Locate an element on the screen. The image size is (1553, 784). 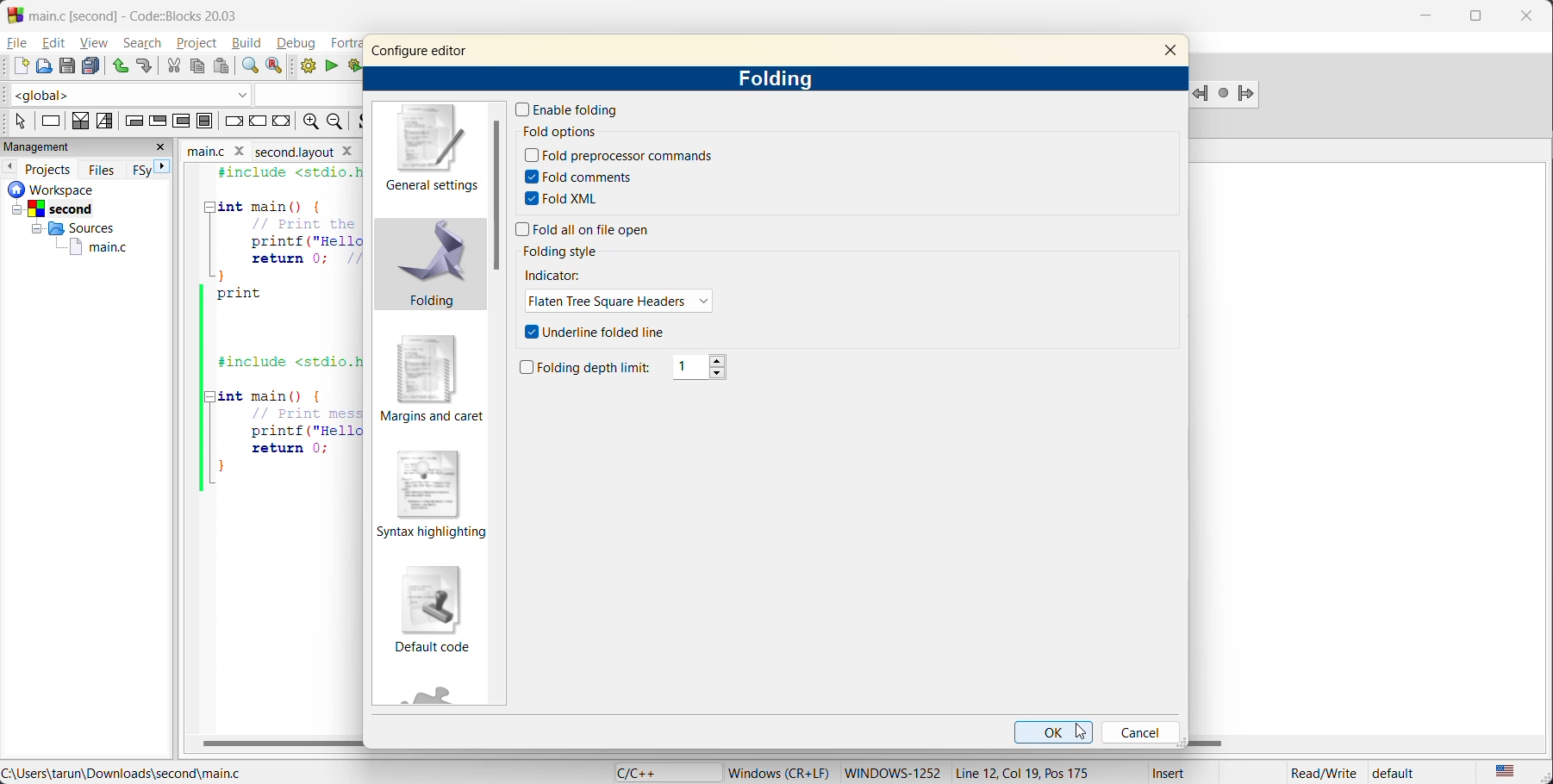
counting loop is located at coordinates (183, 121).